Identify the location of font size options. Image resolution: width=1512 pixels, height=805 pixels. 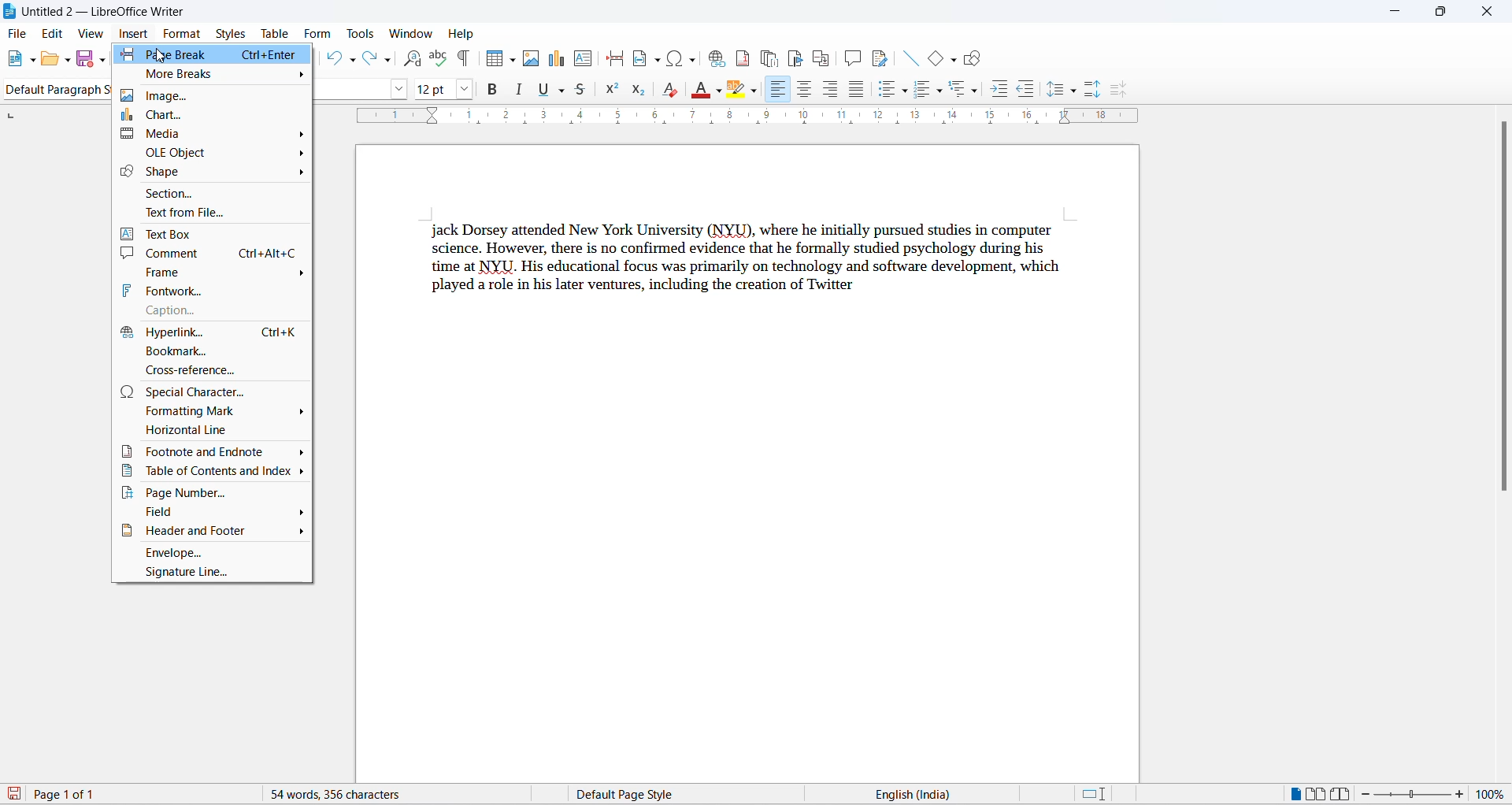
(465, 90).